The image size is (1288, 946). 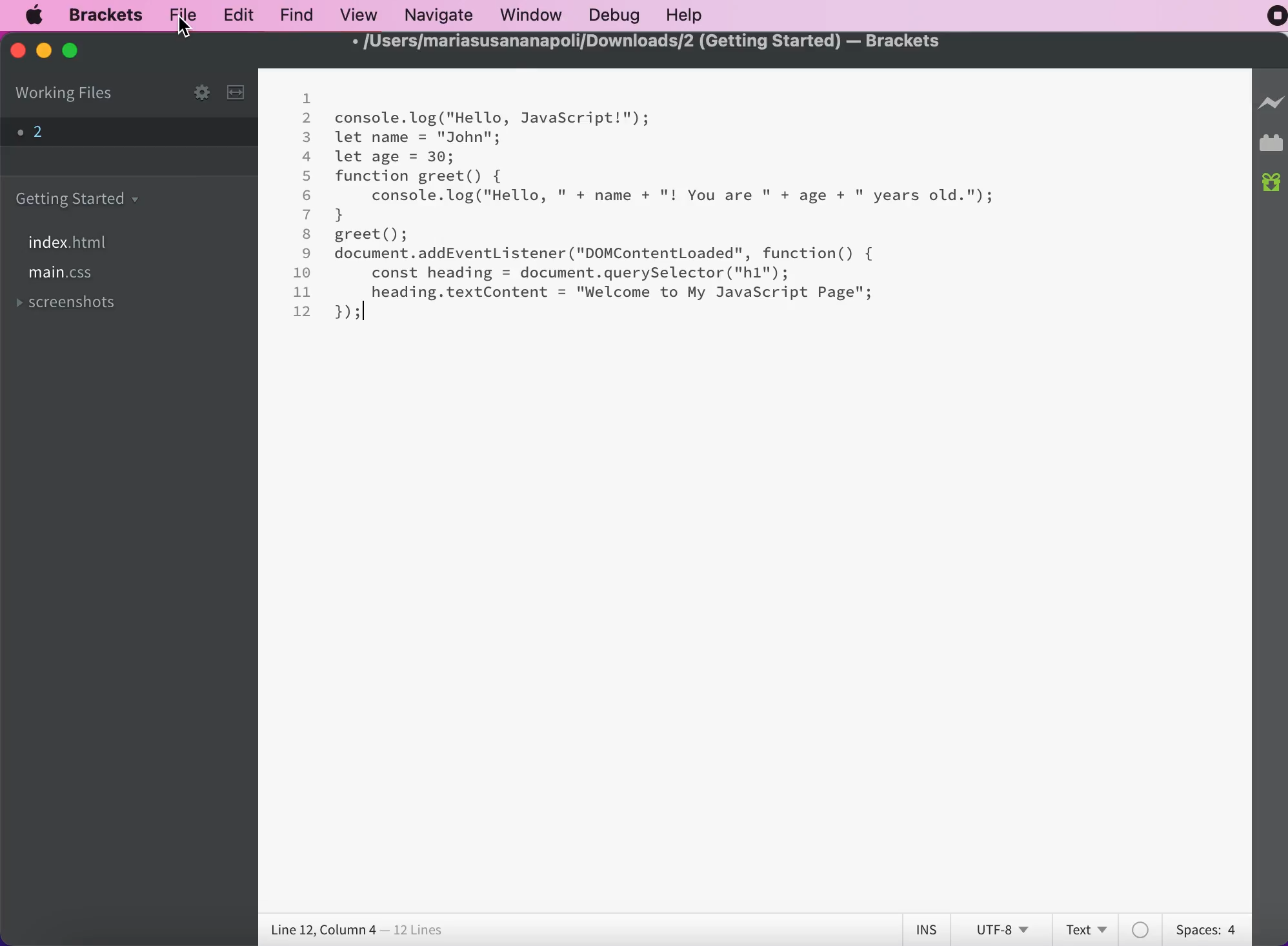 What do you see at coordinates (17, 54) in the screenshot?
I see `close` at bounding box center [17, 54].